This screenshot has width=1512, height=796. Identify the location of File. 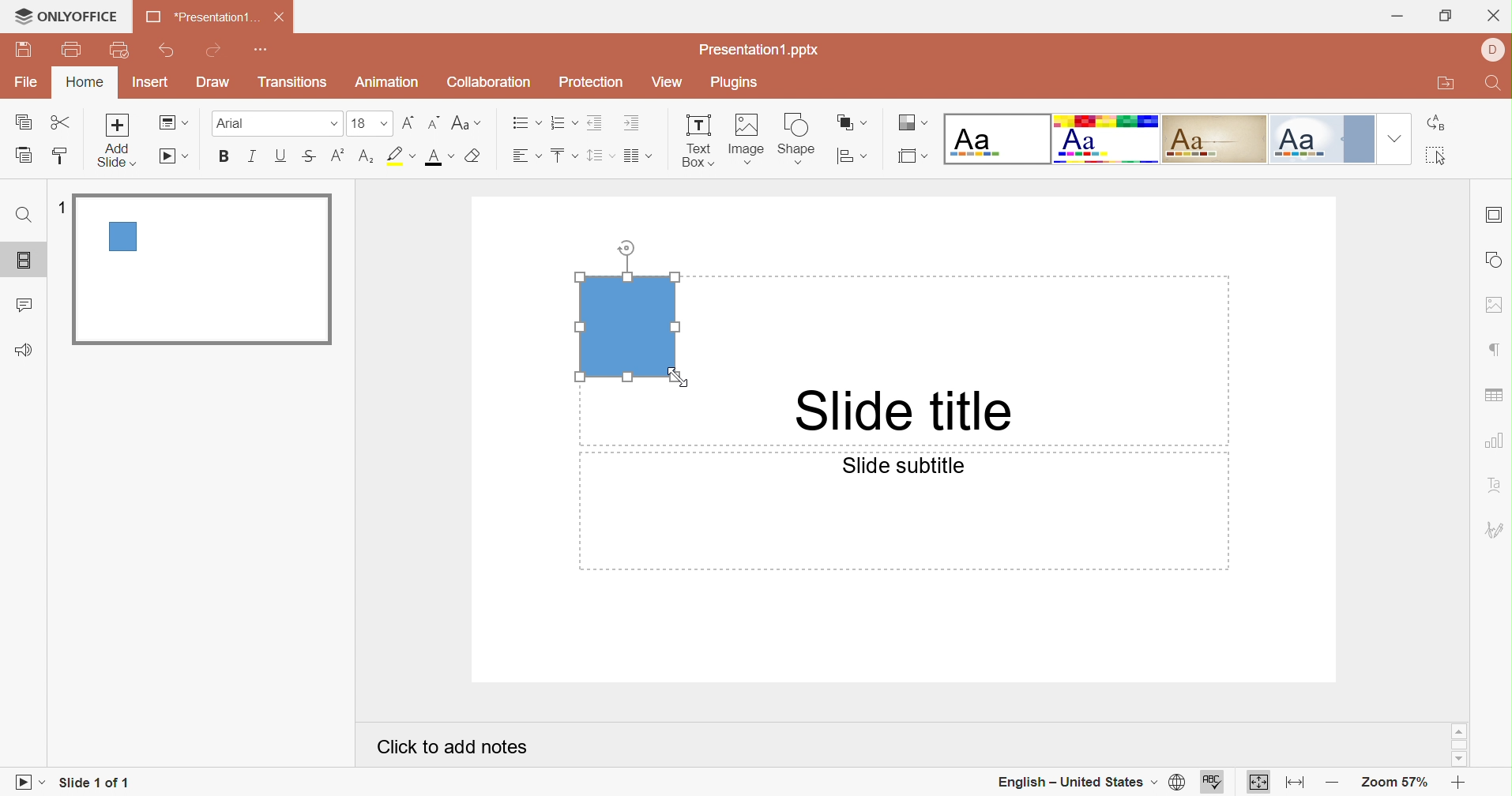
(28, 80).